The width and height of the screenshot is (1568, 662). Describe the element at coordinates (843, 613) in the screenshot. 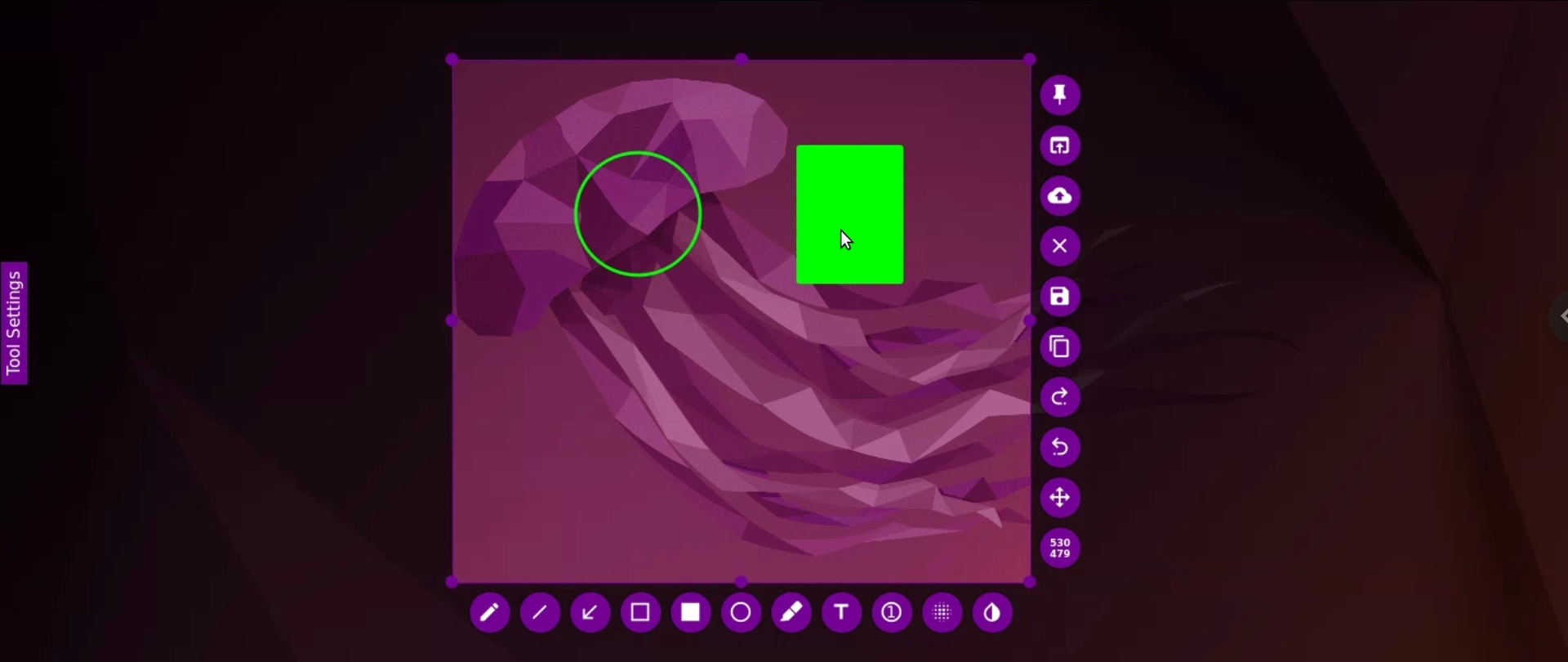

I see `add text` at that location.